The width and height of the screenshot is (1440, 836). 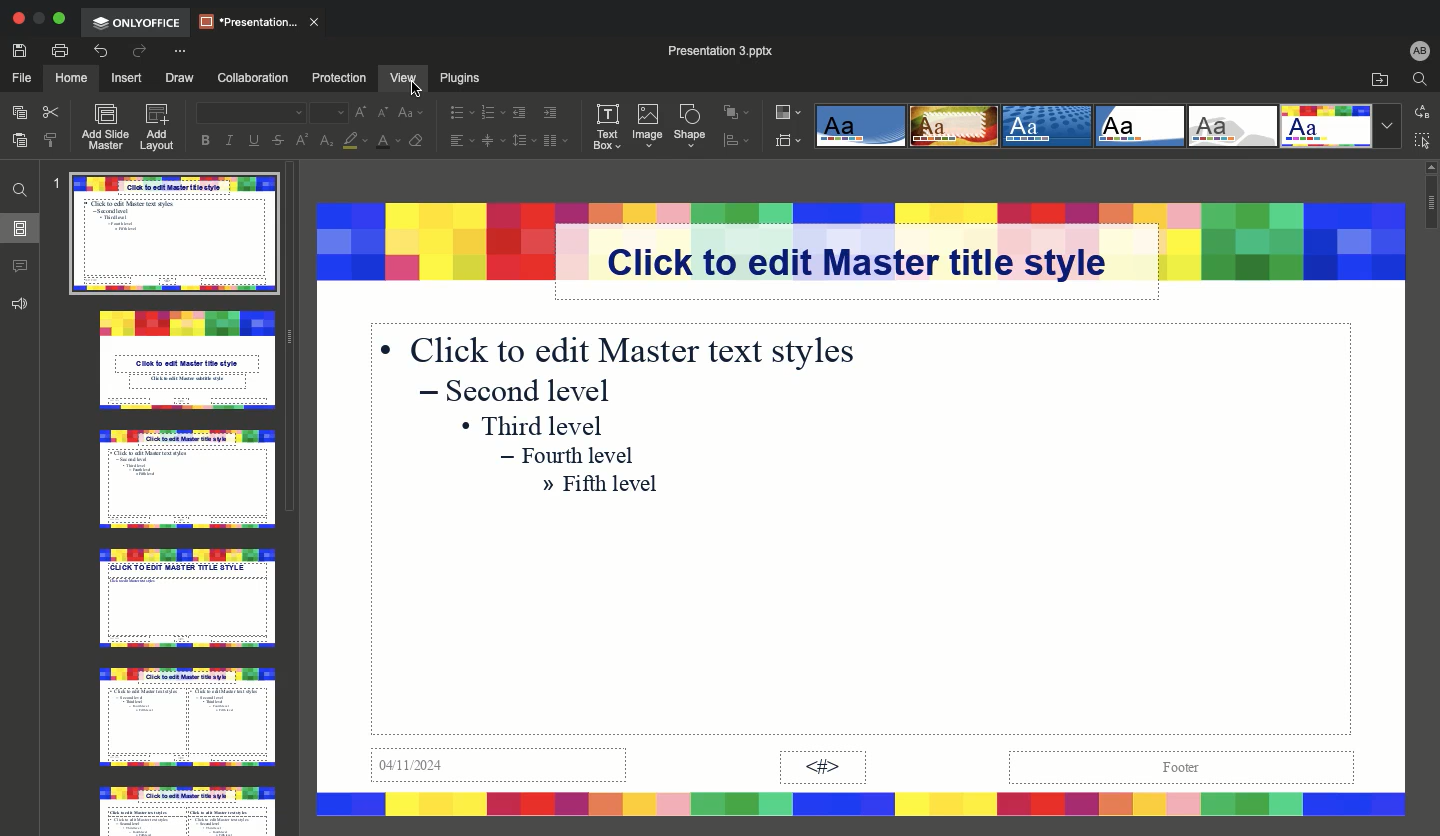 What do you see at coordinates (200, 140) in the screenshot?
I see `Bold` at bounding box center [200, 140].